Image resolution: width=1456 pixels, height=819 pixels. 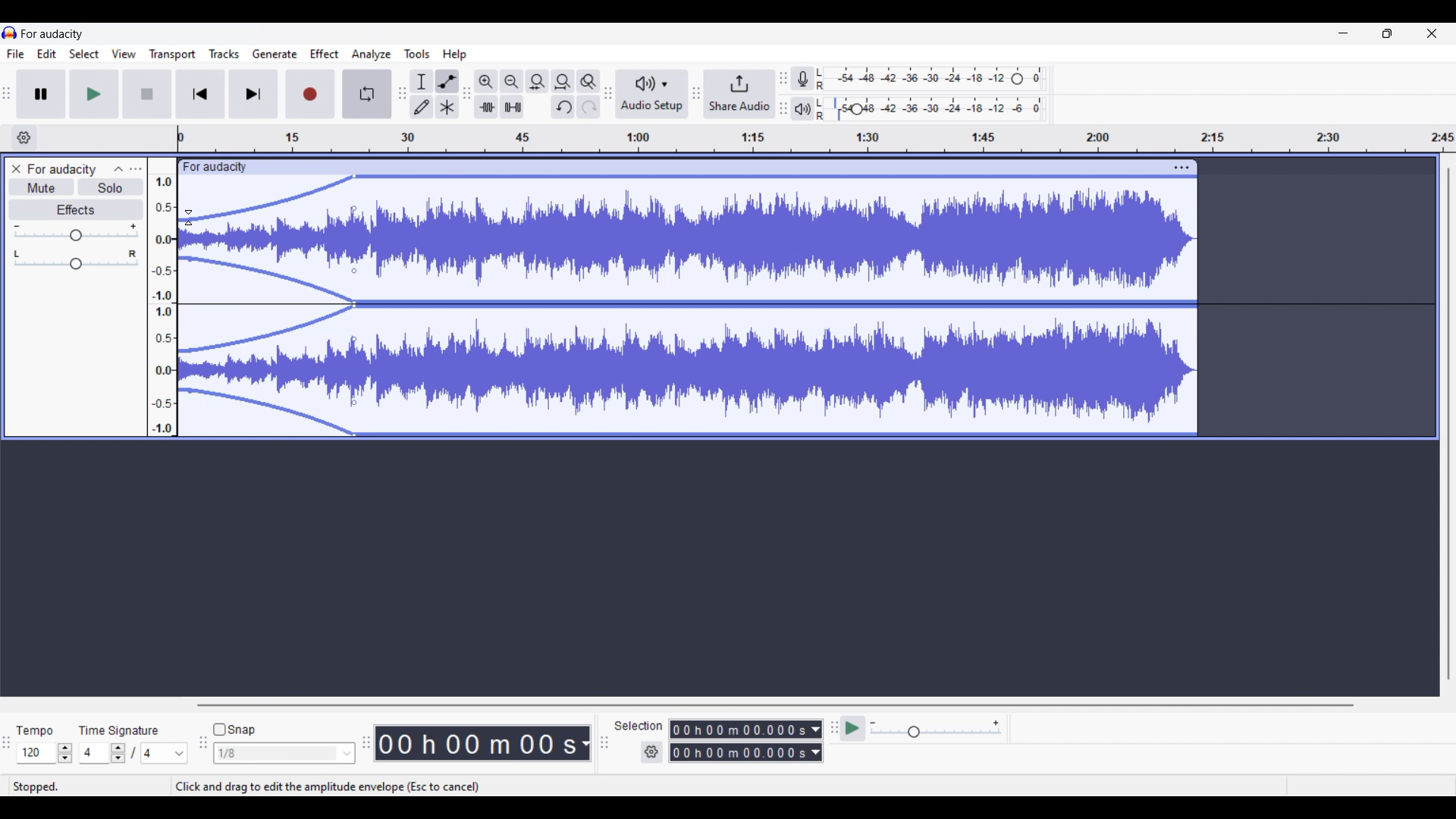 What do you see at coordinates (118, 731) in the screenshot?
I see `time signature` at bounding box center [118, 731].